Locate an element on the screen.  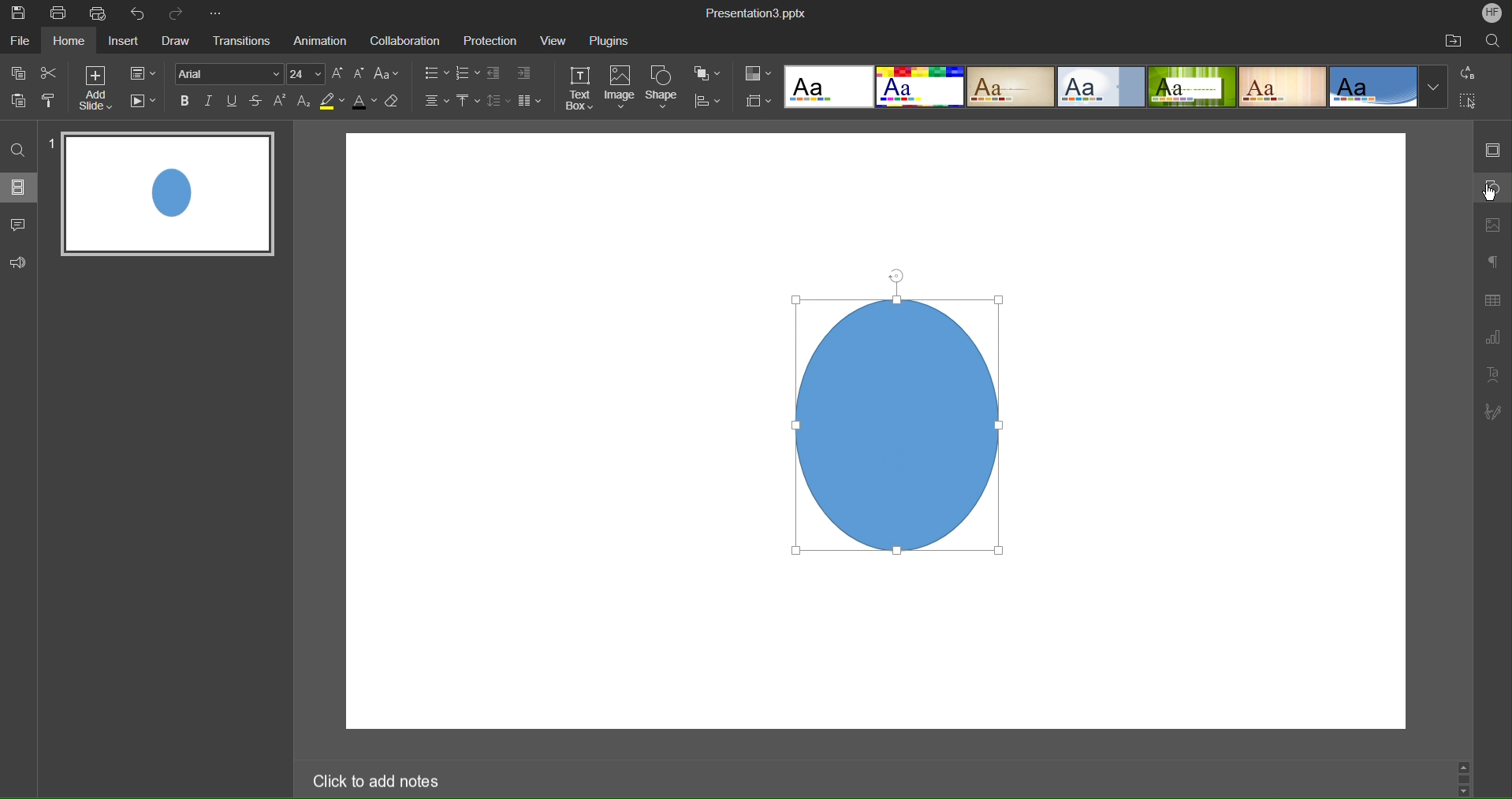
Increase Indent is located at coordinates (524, 73).